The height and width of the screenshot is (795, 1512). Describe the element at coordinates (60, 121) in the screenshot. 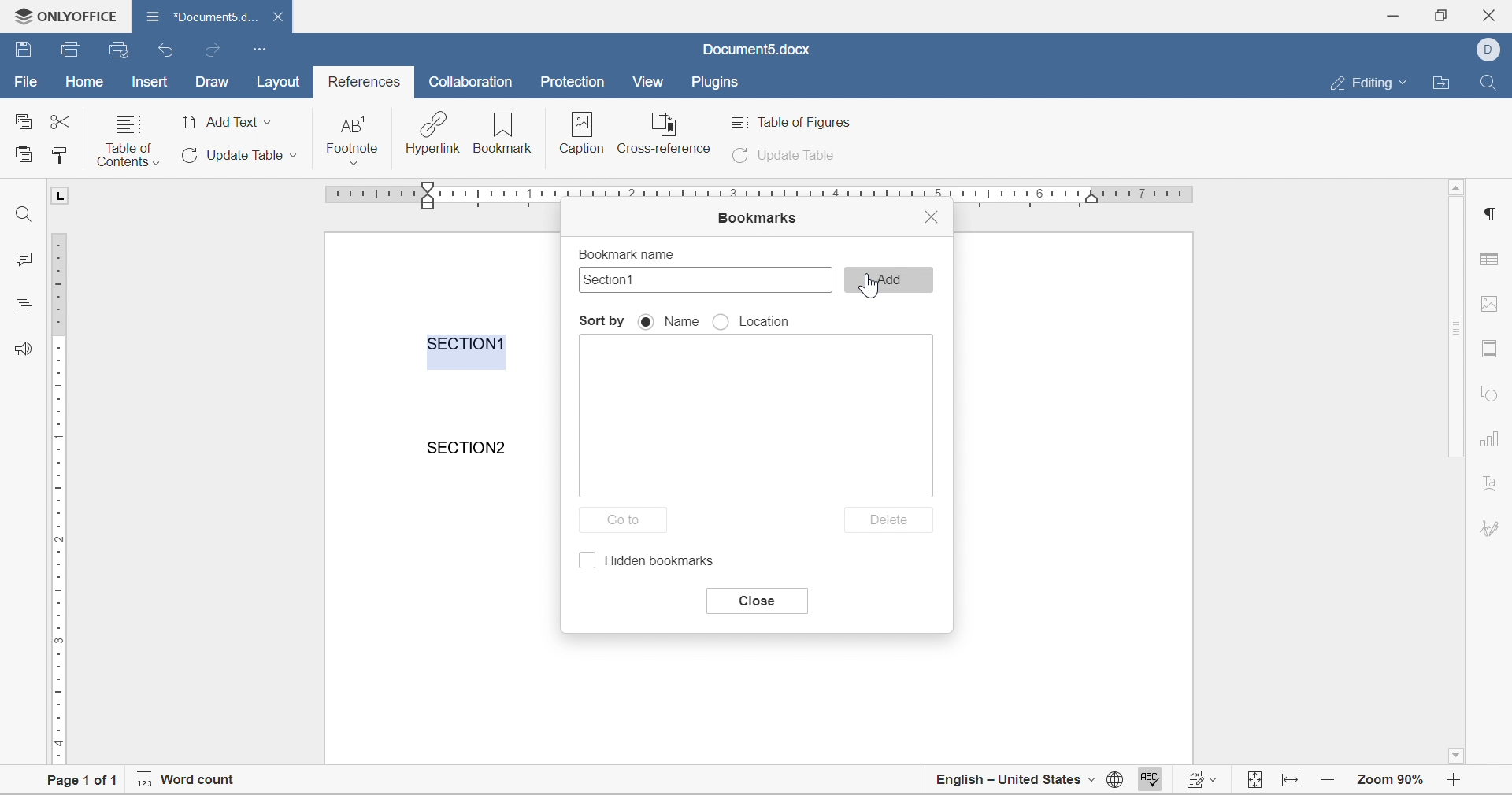

I see `cut` at that location.